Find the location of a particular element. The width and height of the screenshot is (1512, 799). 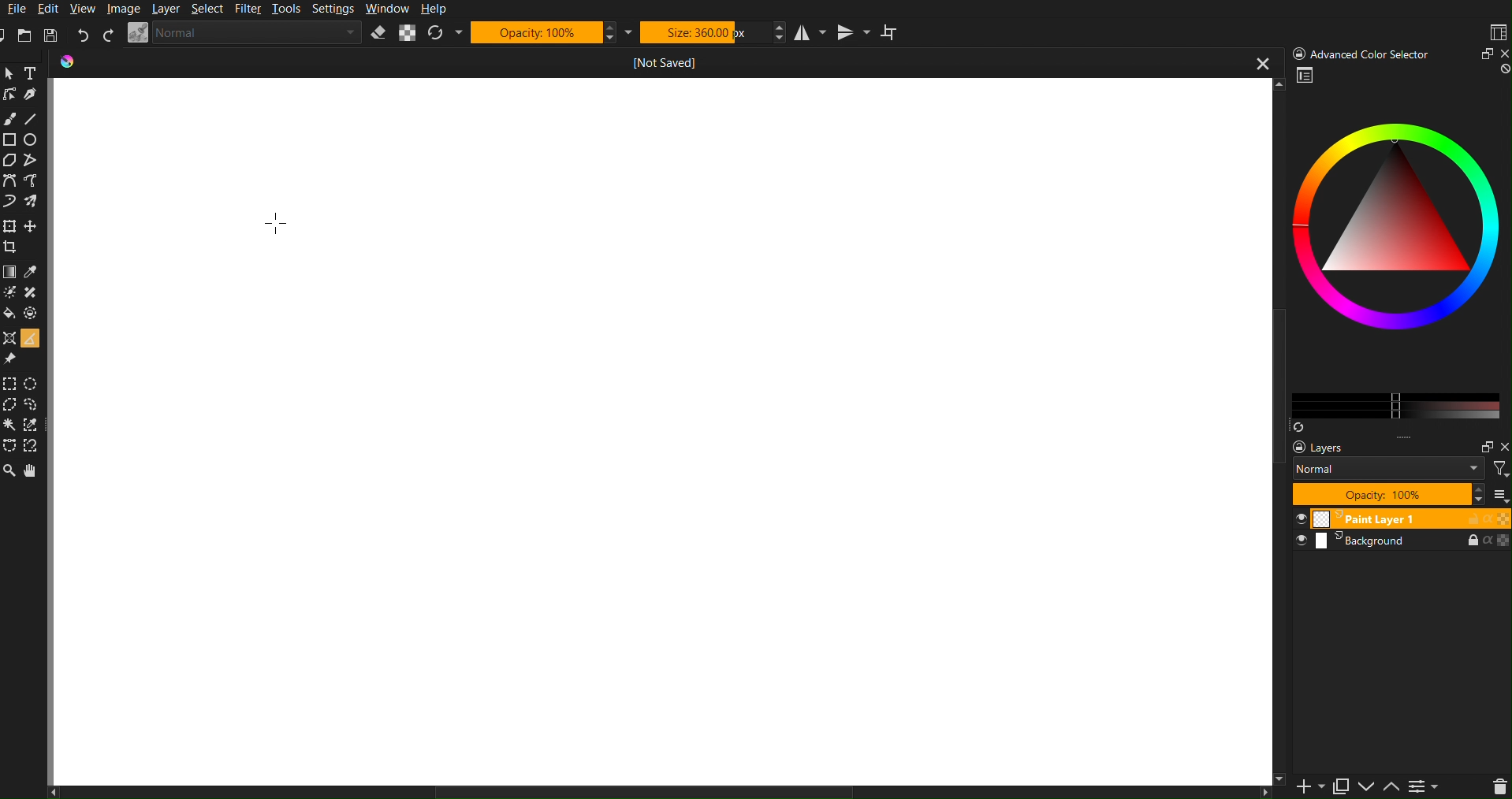

Opacity is located at coordinates (553, 32).